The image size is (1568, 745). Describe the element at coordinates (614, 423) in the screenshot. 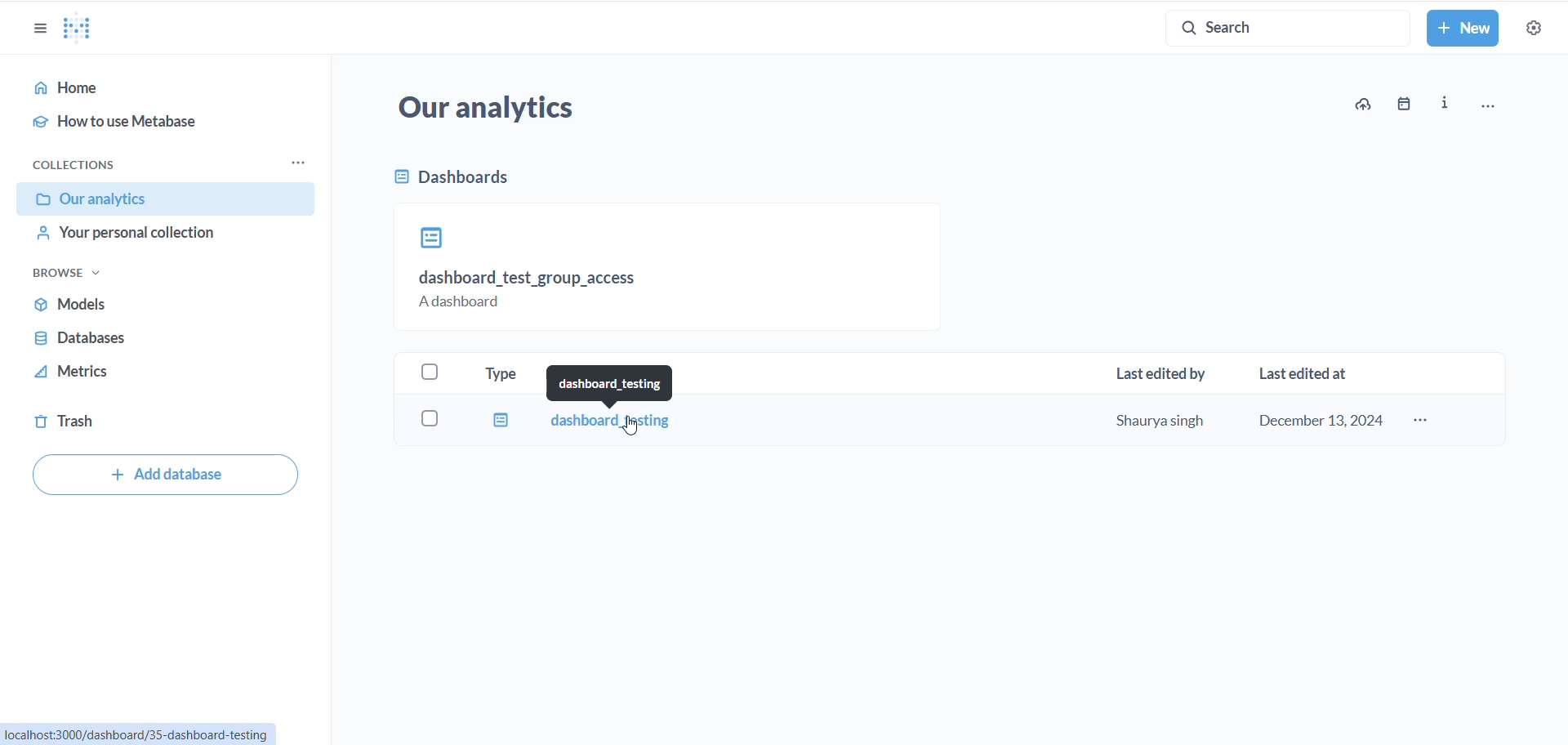

I see `dashboard name` at that location.